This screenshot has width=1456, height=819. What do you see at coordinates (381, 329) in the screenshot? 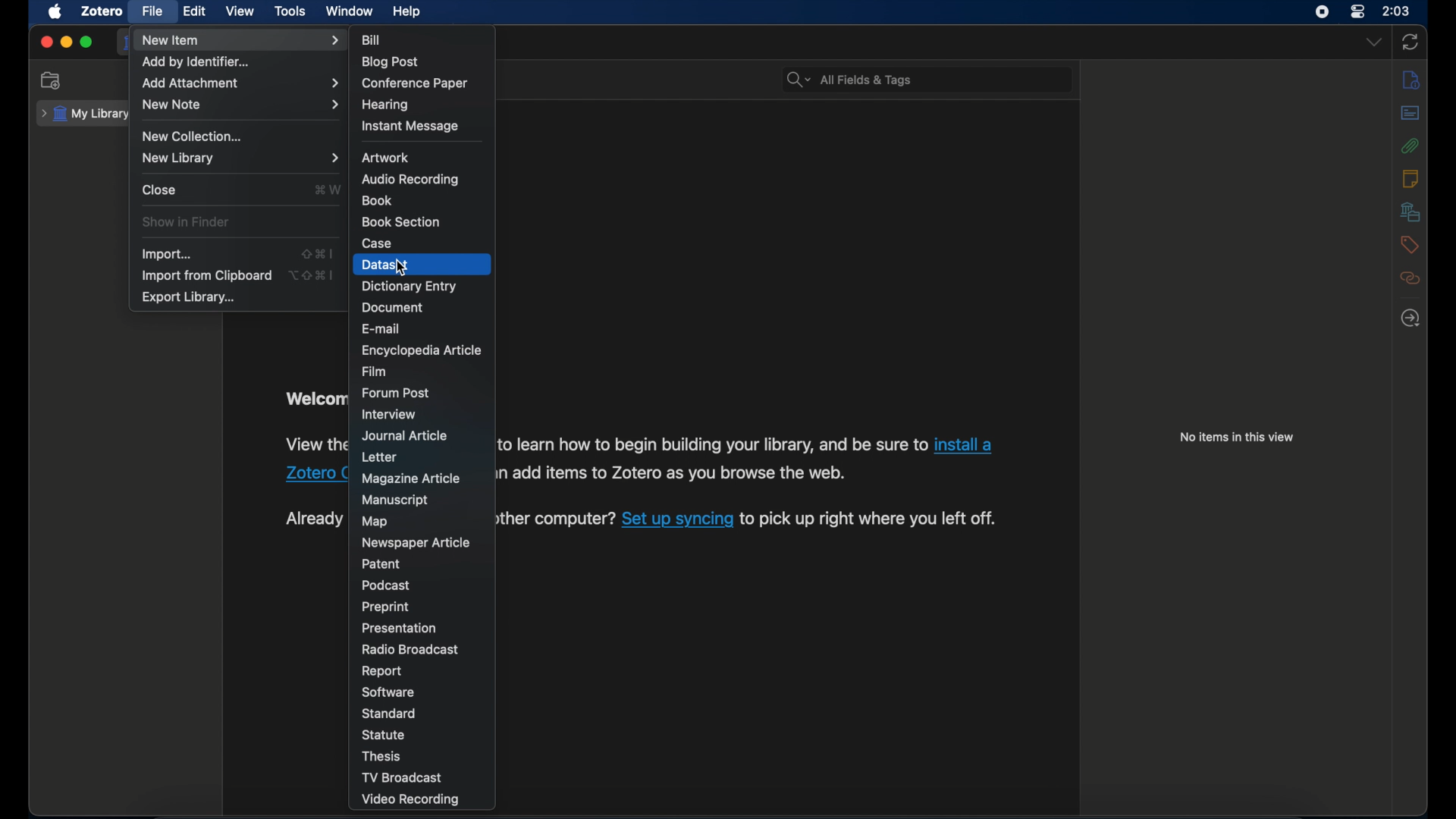
I see `e-mail` at bounding box center [381, 329].